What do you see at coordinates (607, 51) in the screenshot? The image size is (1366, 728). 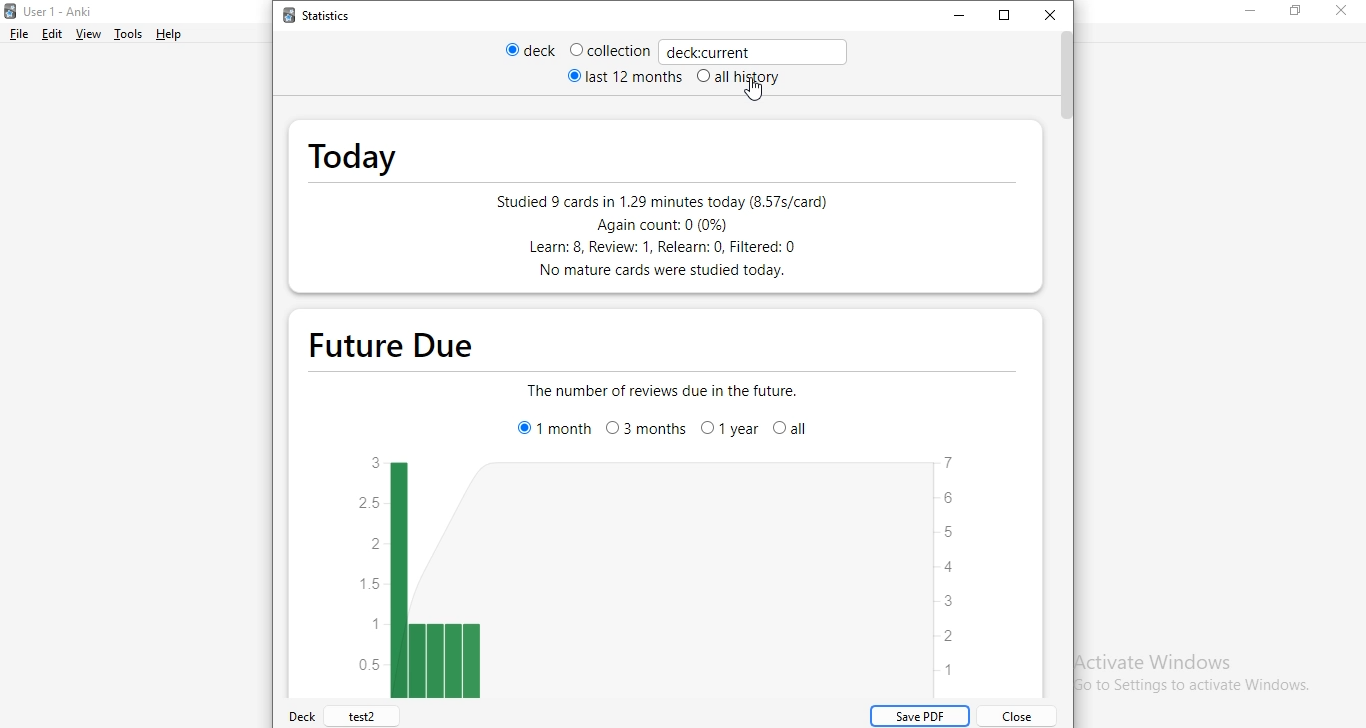 I see `collection` at bounding box center [607, 51].